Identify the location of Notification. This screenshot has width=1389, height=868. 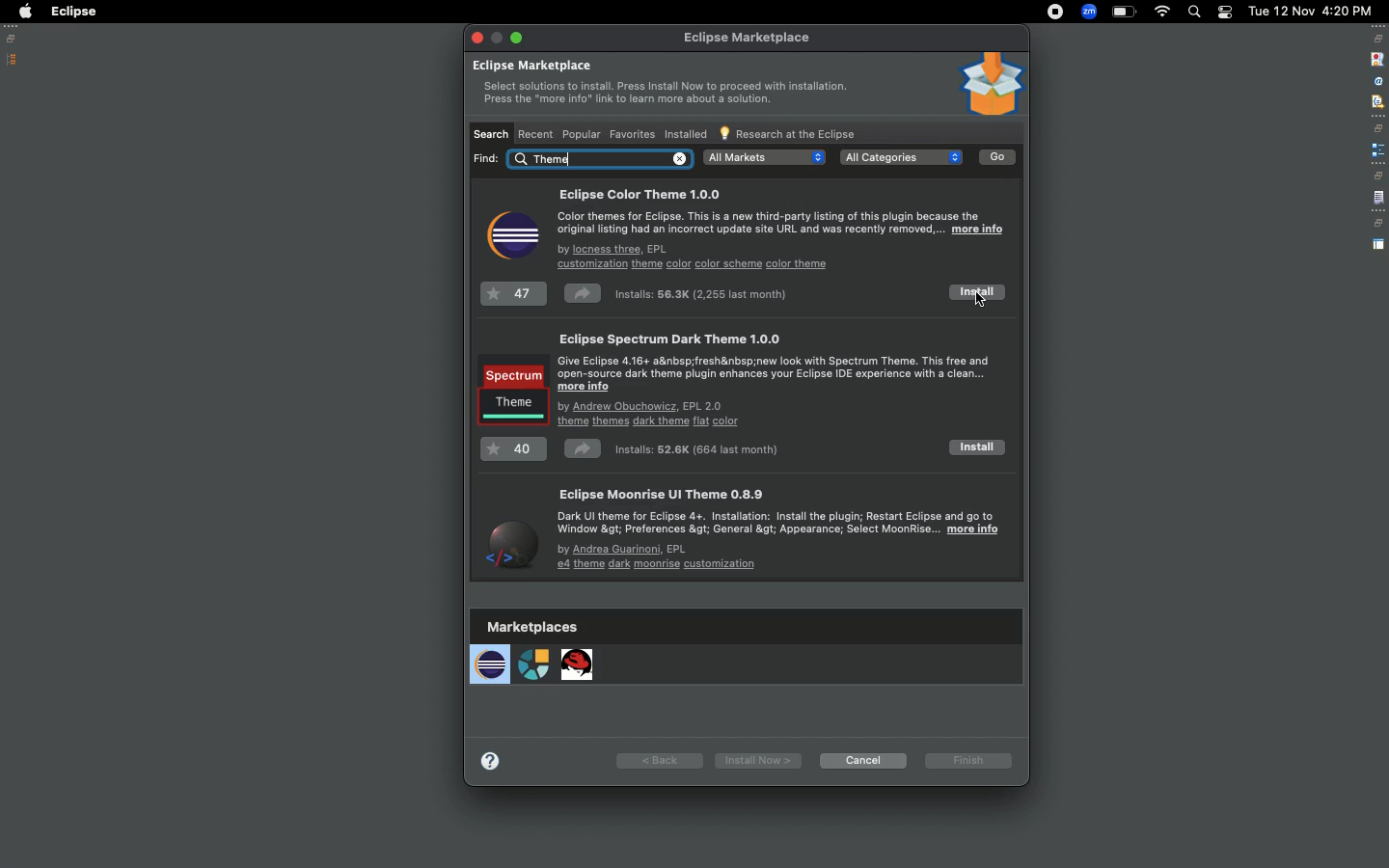
(1224, 13).